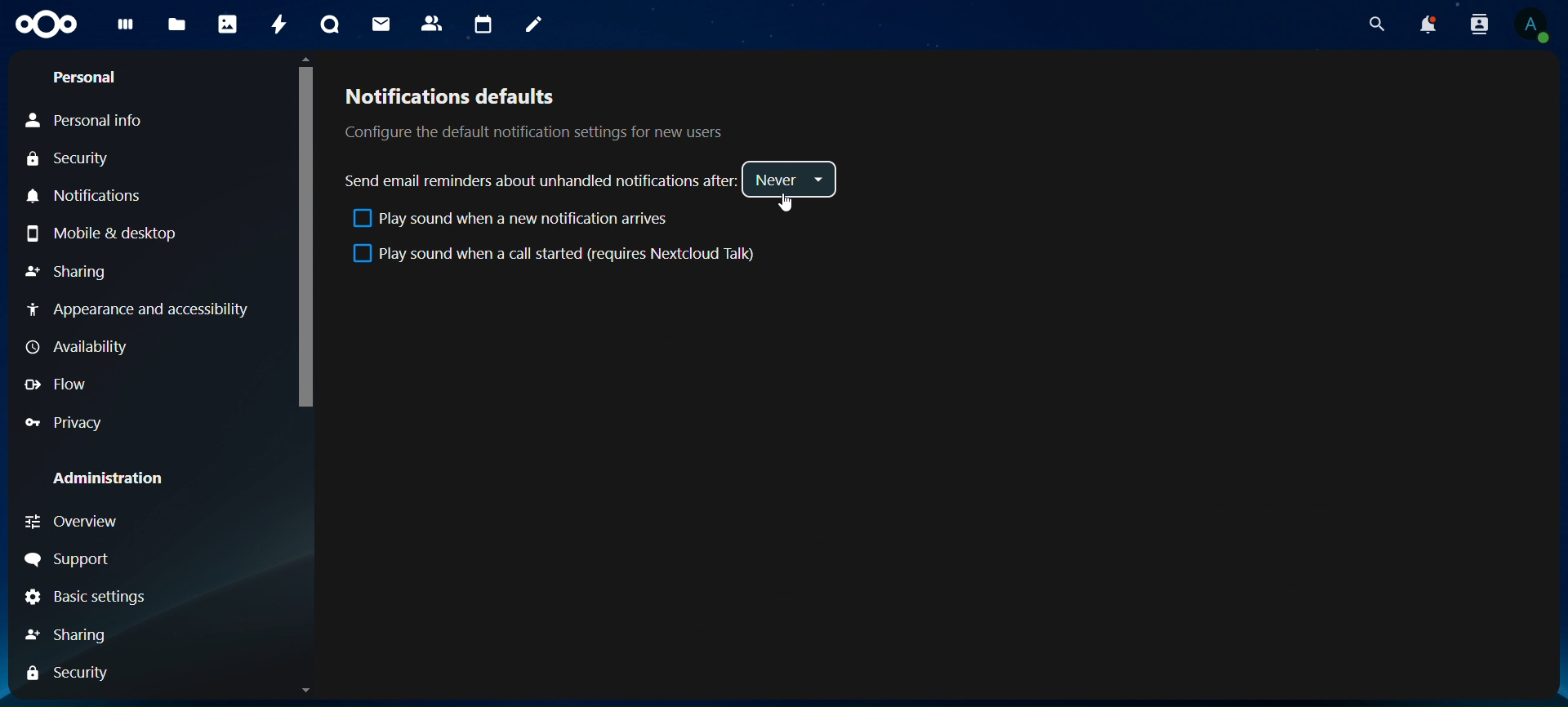  I want to click on Privacy, so click(62, 423).